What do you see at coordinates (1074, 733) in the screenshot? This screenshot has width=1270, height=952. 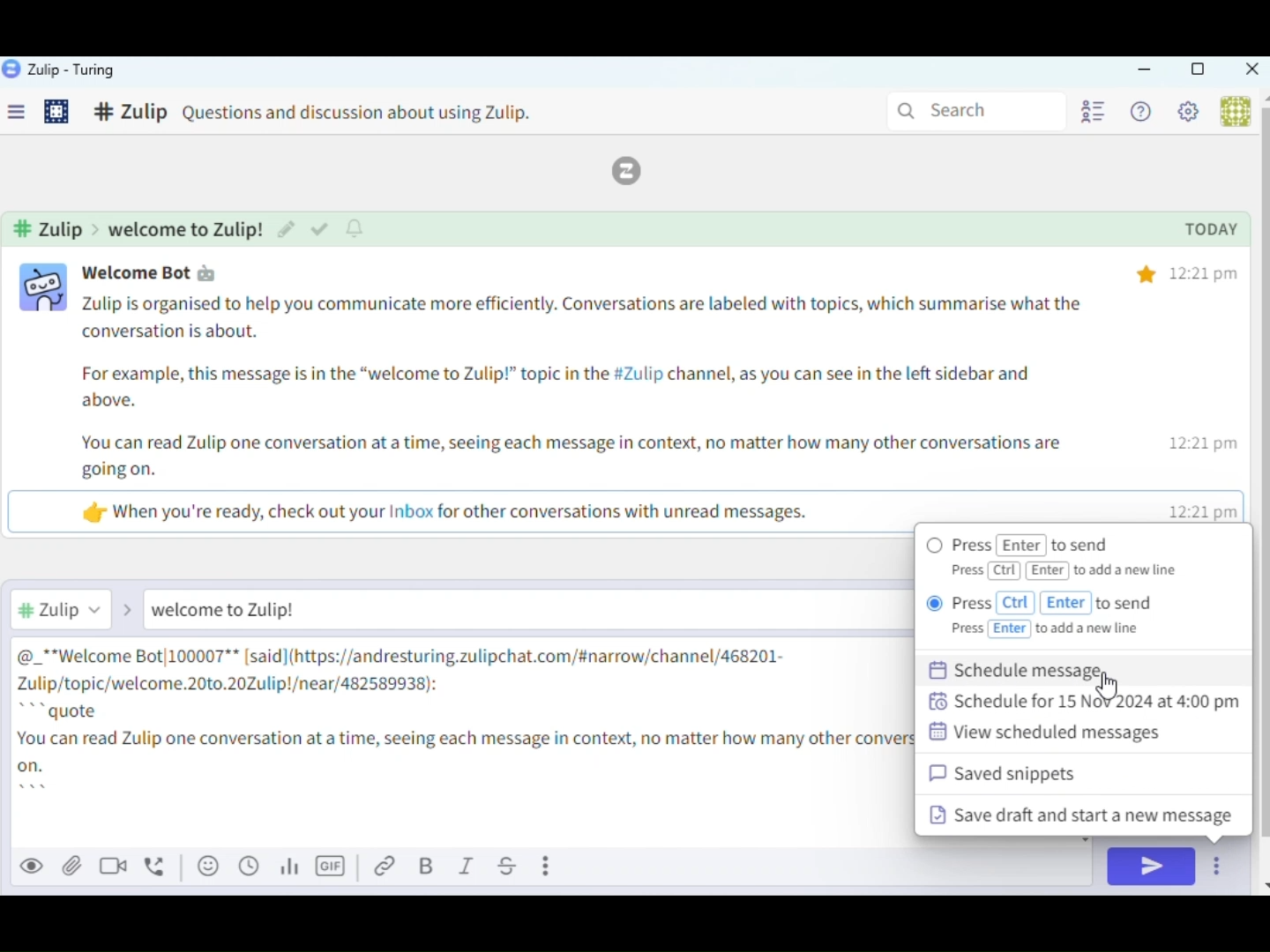 I see `View scheduled messages` at bounding box center [1074, 733].